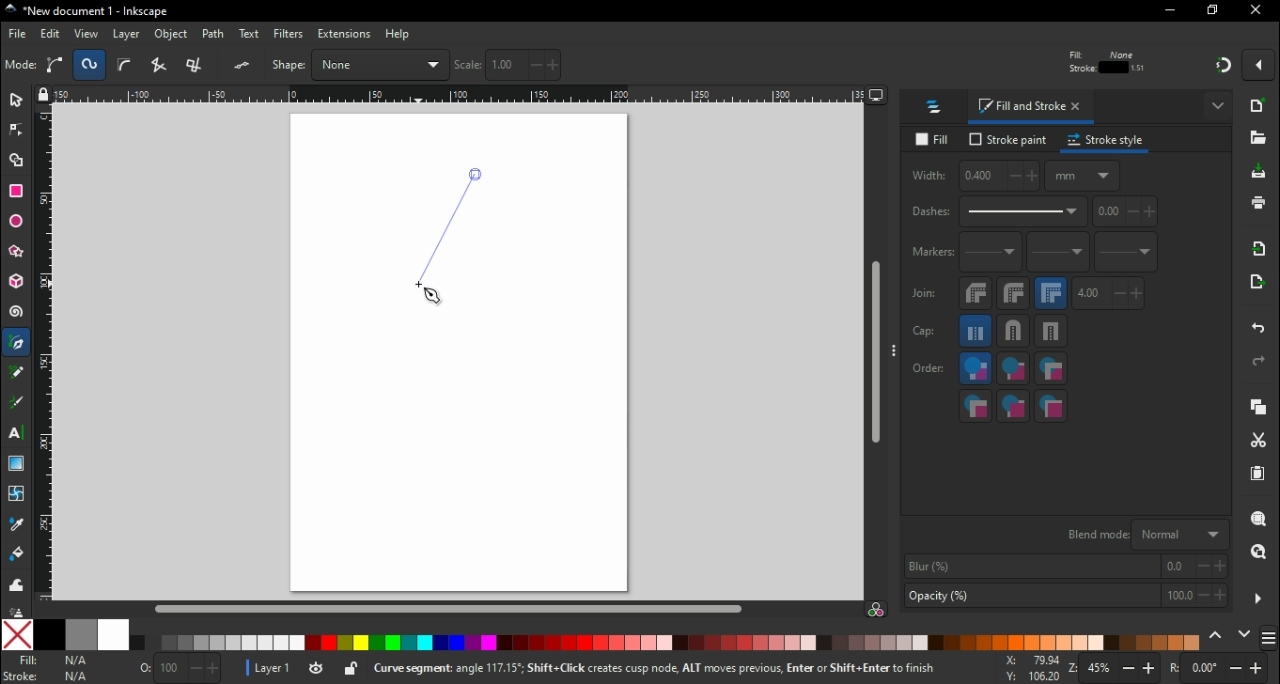 The image size is (1280, 684). What do you see at coordinates (1002, 214) in the screenshot?
I see `dashes` at bounding box center [1002, 214].